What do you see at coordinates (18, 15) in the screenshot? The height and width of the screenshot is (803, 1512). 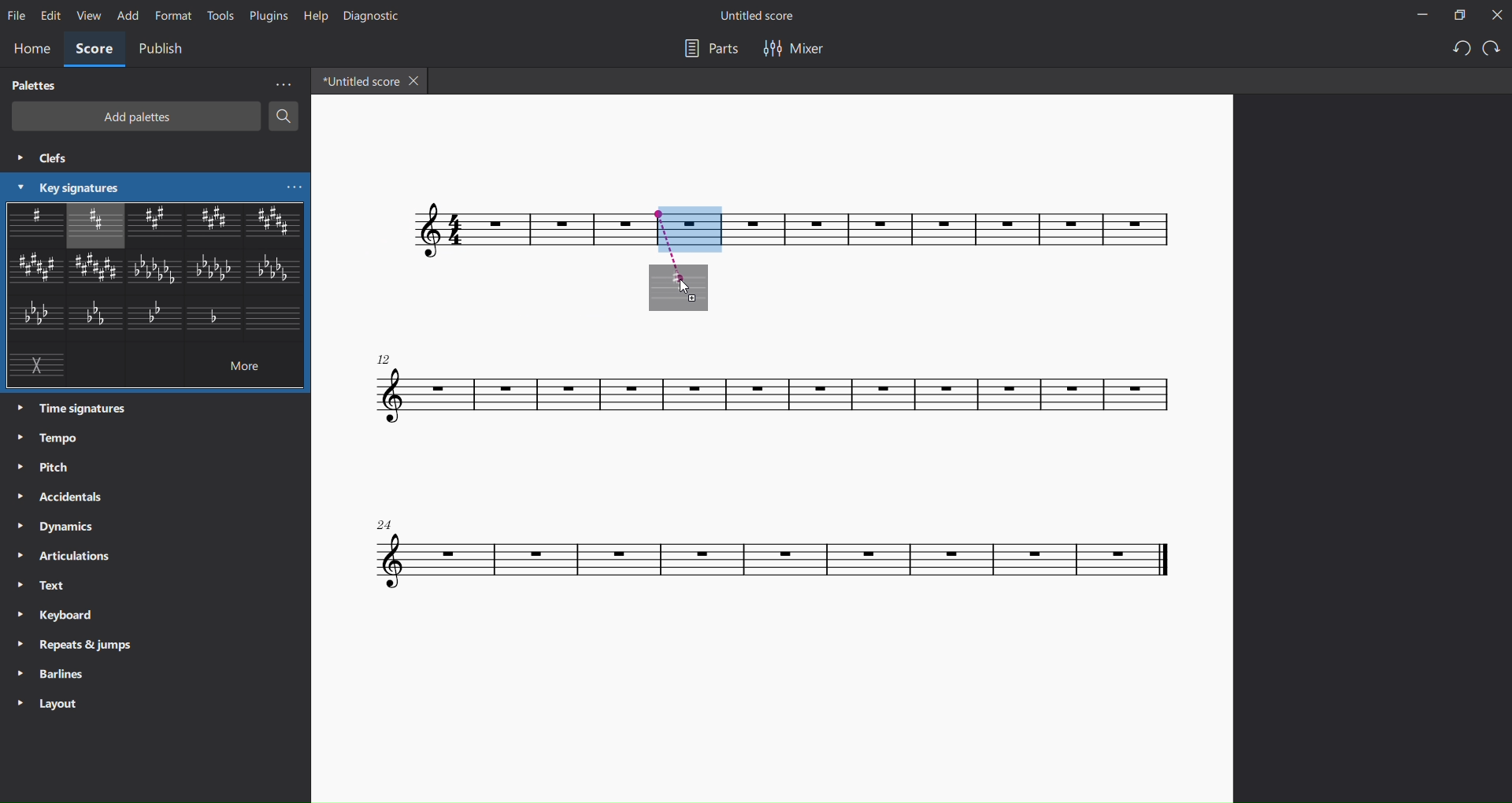 I see `file` at bounding box center [18, 15].